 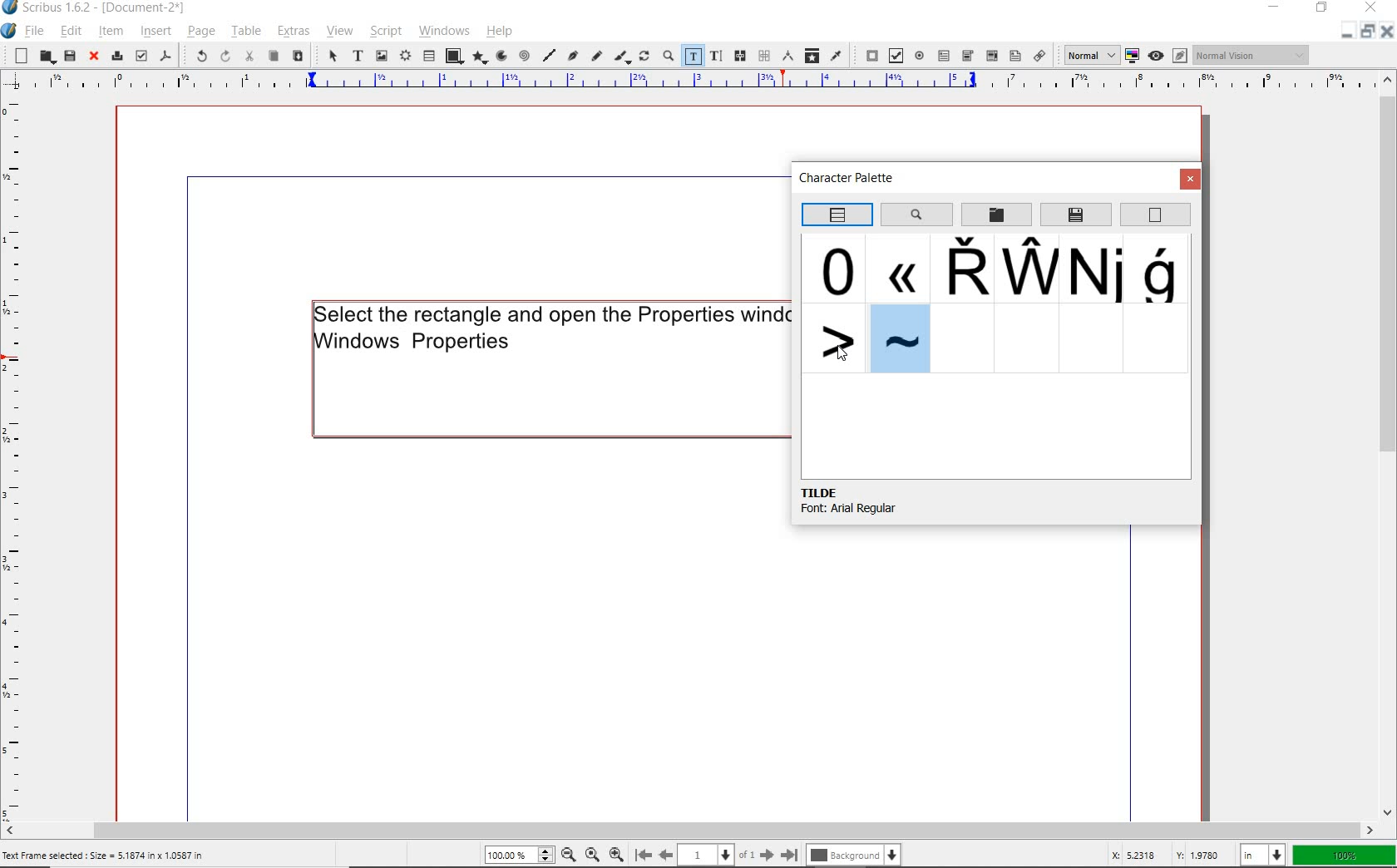 I want to click on ruler, so click(x=14, y=460).